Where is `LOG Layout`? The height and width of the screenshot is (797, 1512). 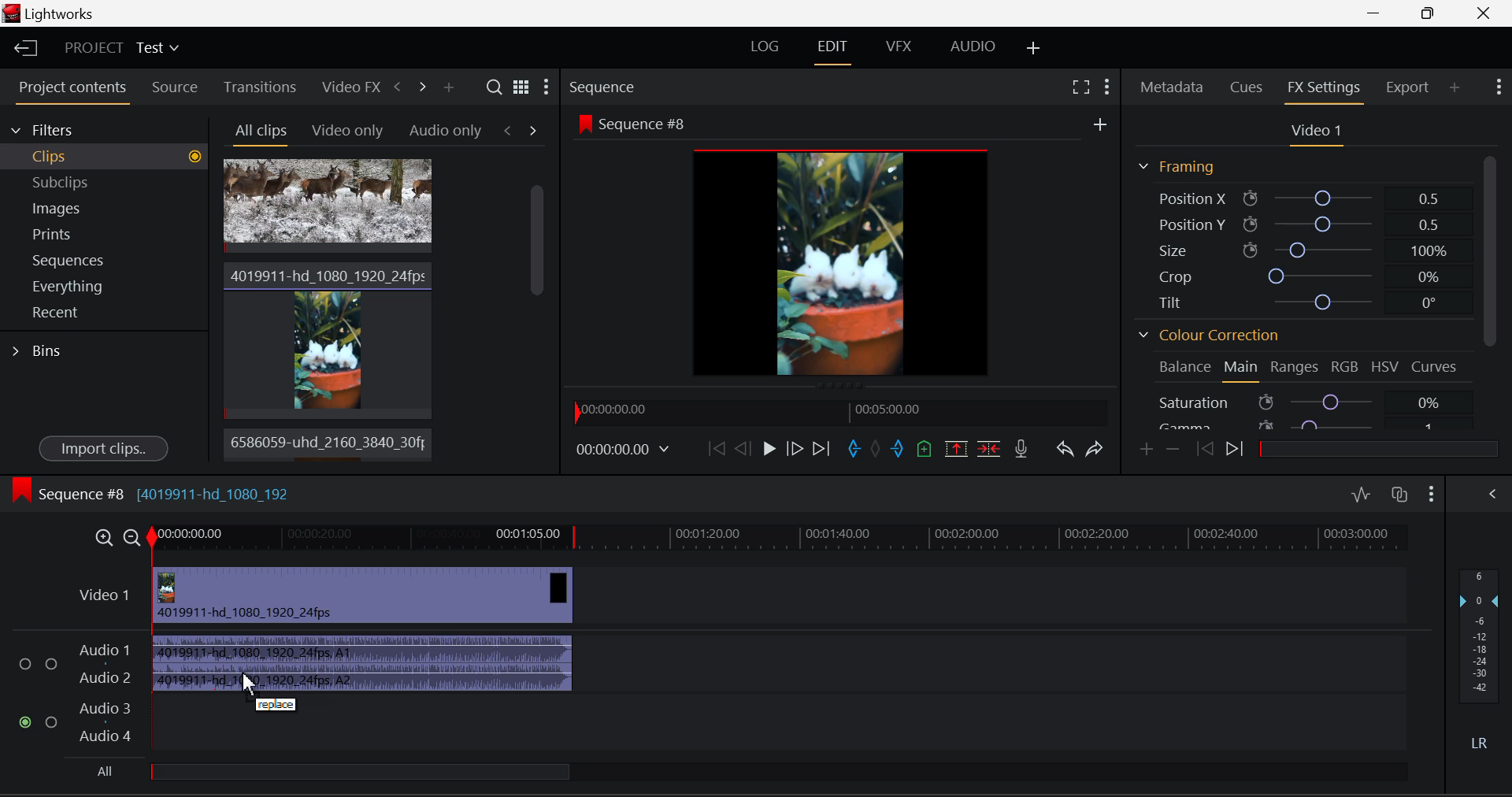
LOG Layout is located at coordinates (765, 46).